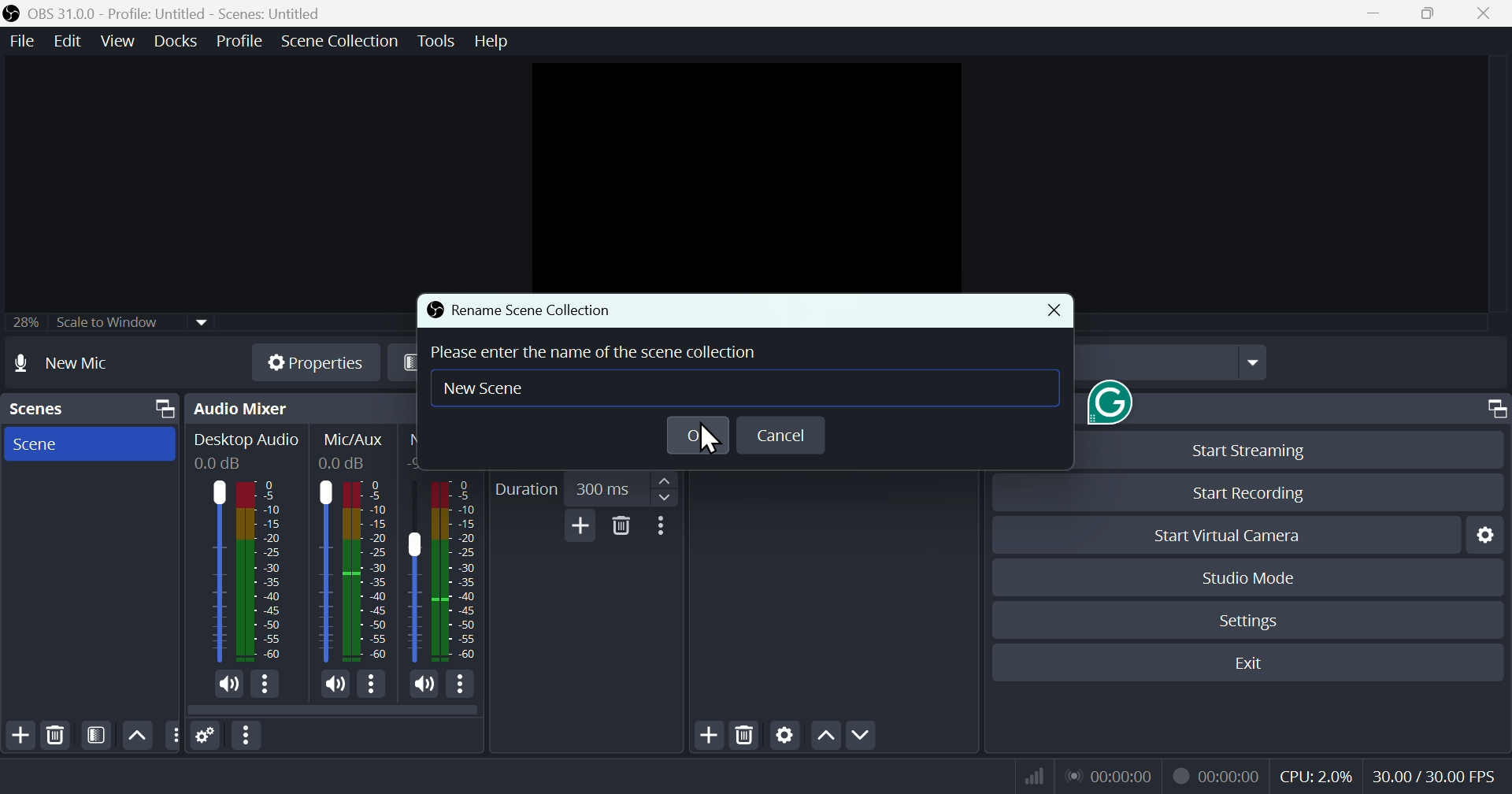 The image size is (1512, 794). What do you see at coordinates (1106, 403) in the screenshot?
I see `Grammarly` at bounding box center [1106, 403].